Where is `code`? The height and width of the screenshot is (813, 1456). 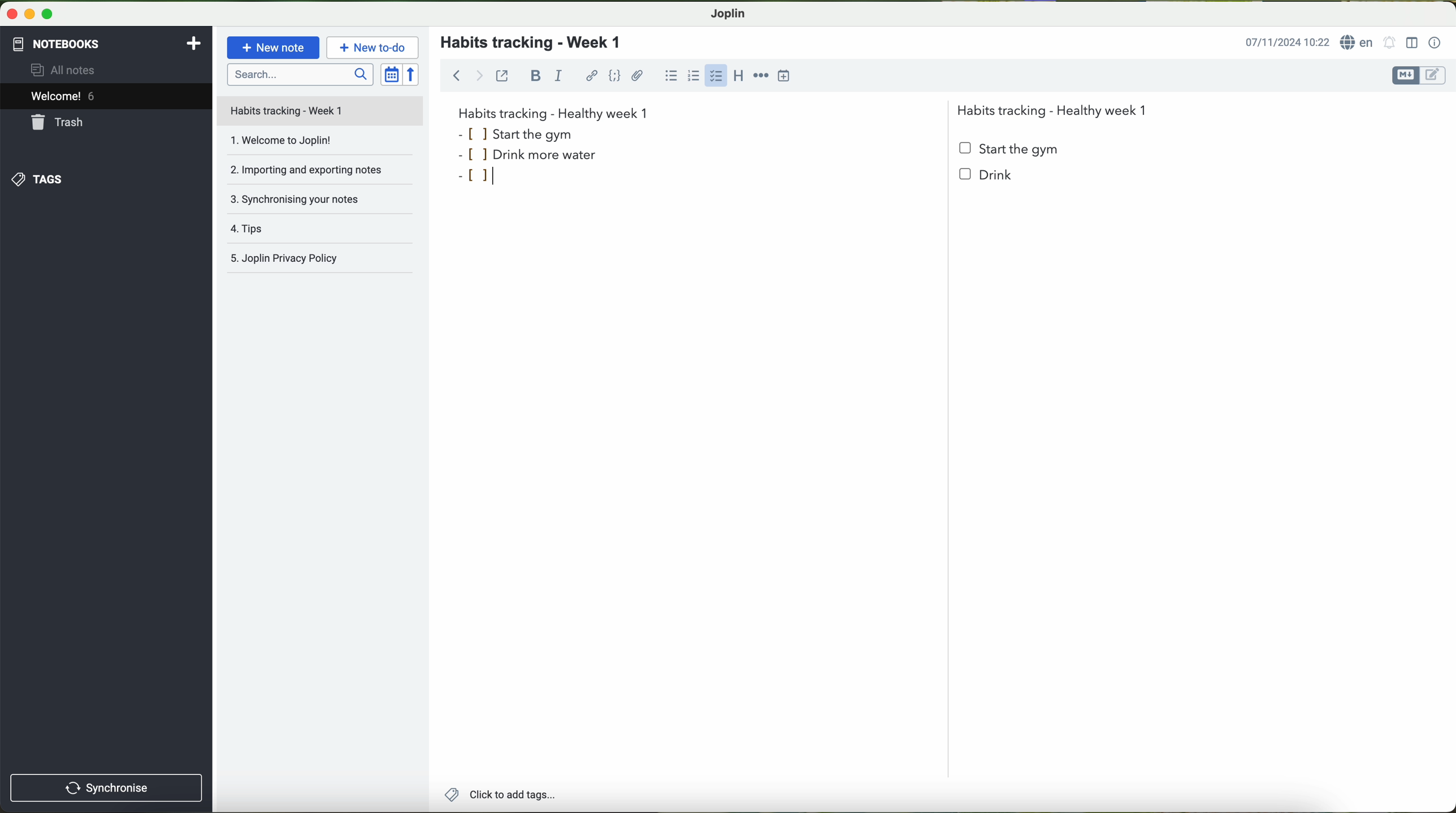 code is located at coordinates (616, 76).